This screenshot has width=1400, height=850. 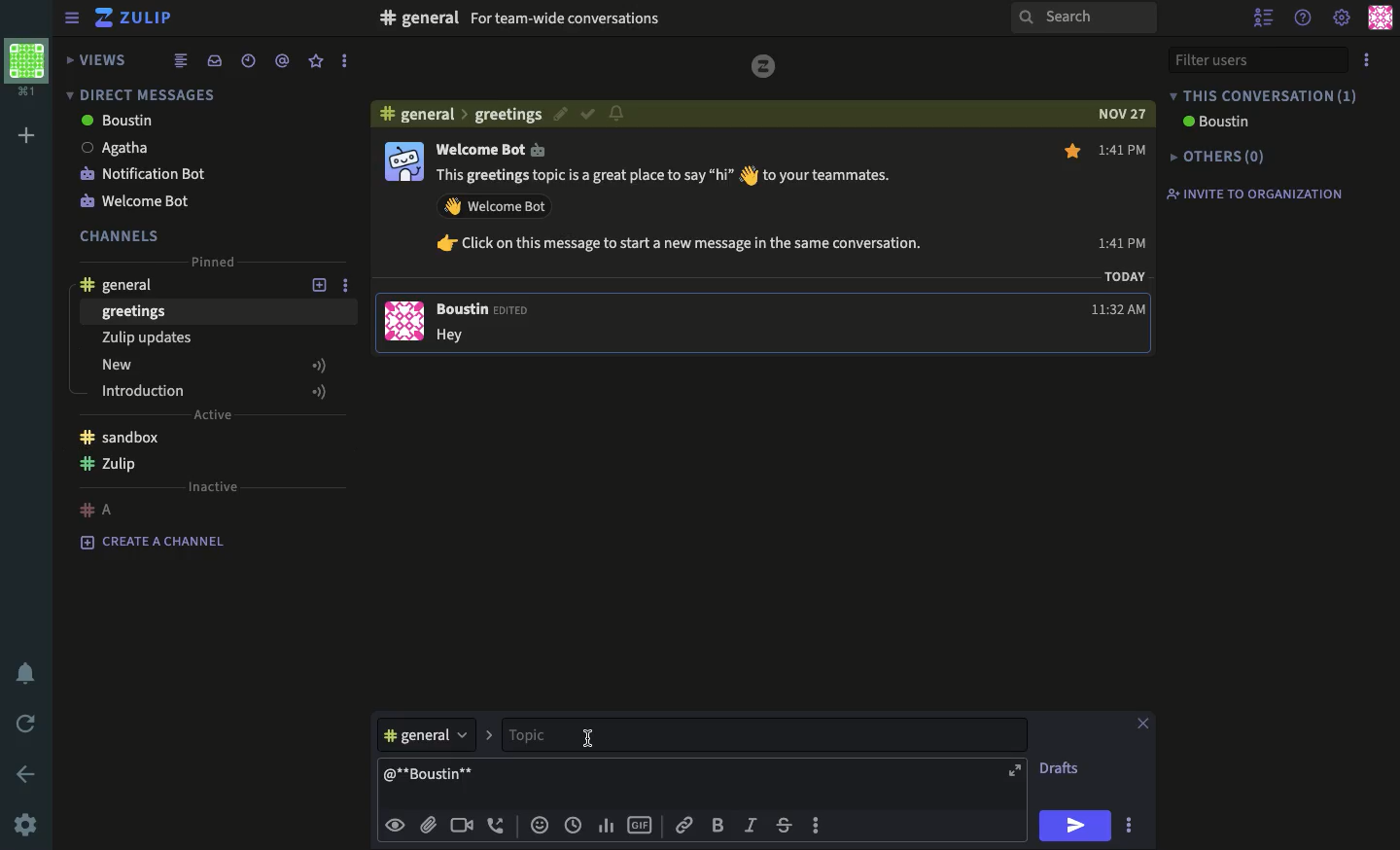 I want to click on options, so click(x=818, y=824).